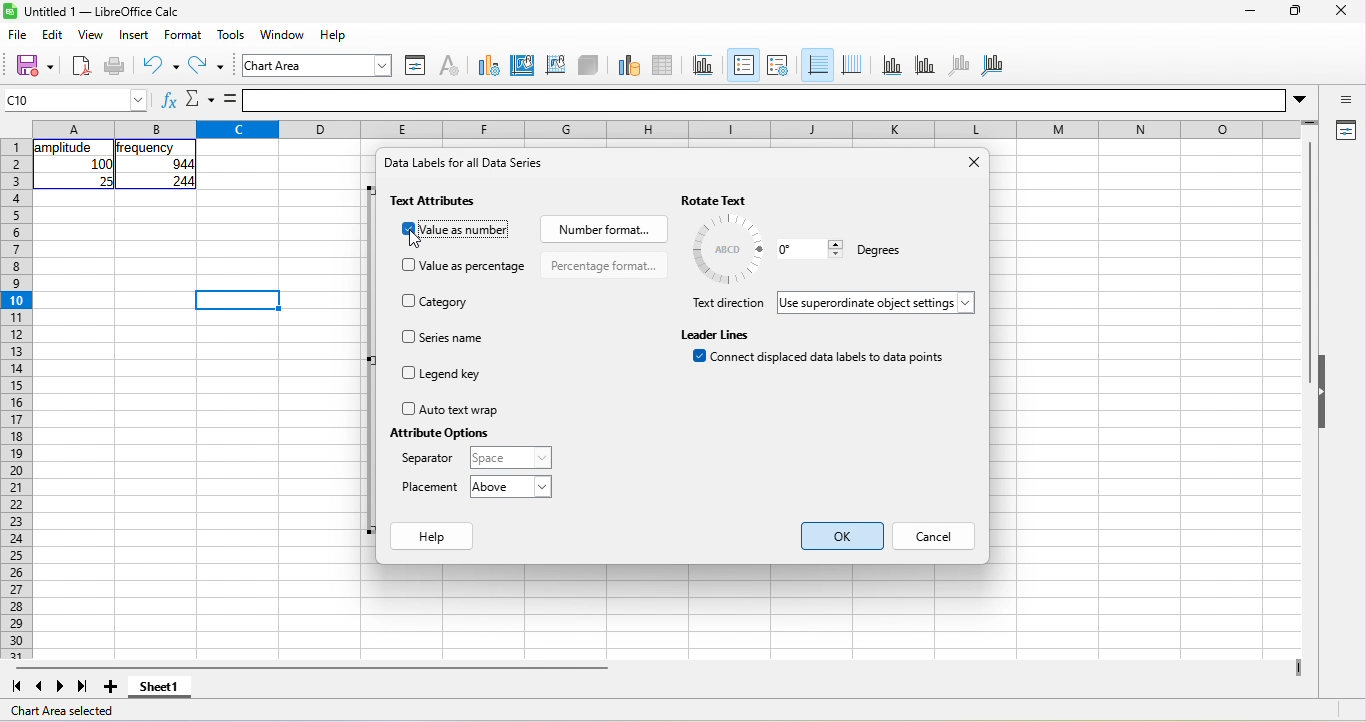 The height and width of the screenshot is (722, 1366). I want to click on format, so click(187, 35).